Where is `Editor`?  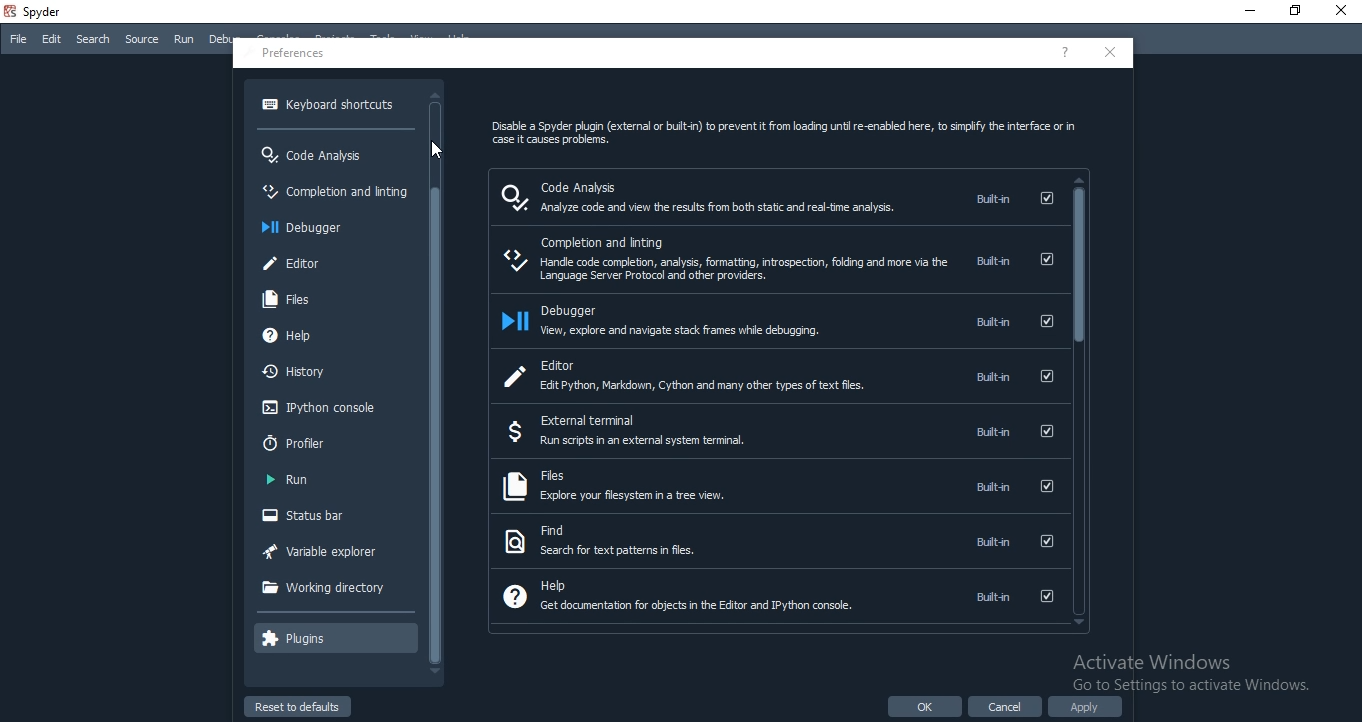
Editor is located at coordinates (293, 262).